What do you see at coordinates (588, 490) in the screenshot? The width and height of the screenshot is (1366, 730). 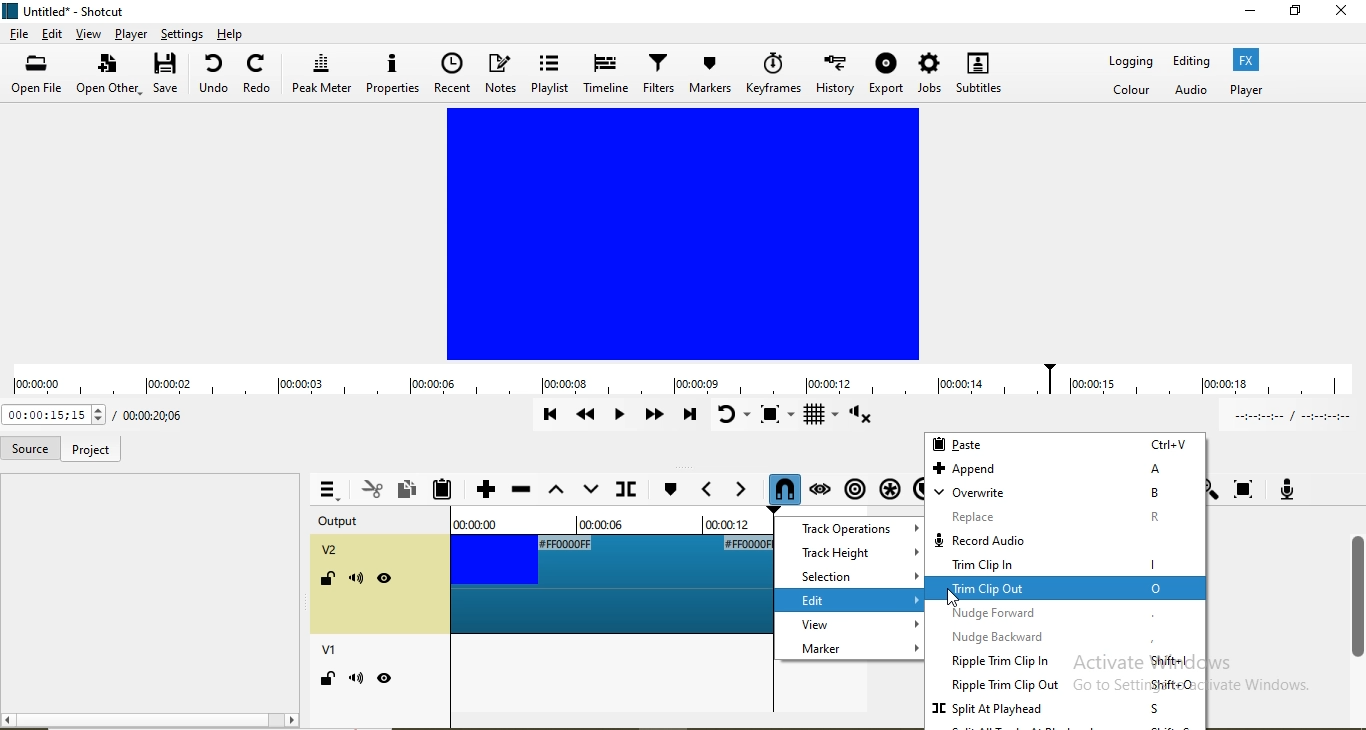 I see `overwrite` at bounding box center [588, 490].